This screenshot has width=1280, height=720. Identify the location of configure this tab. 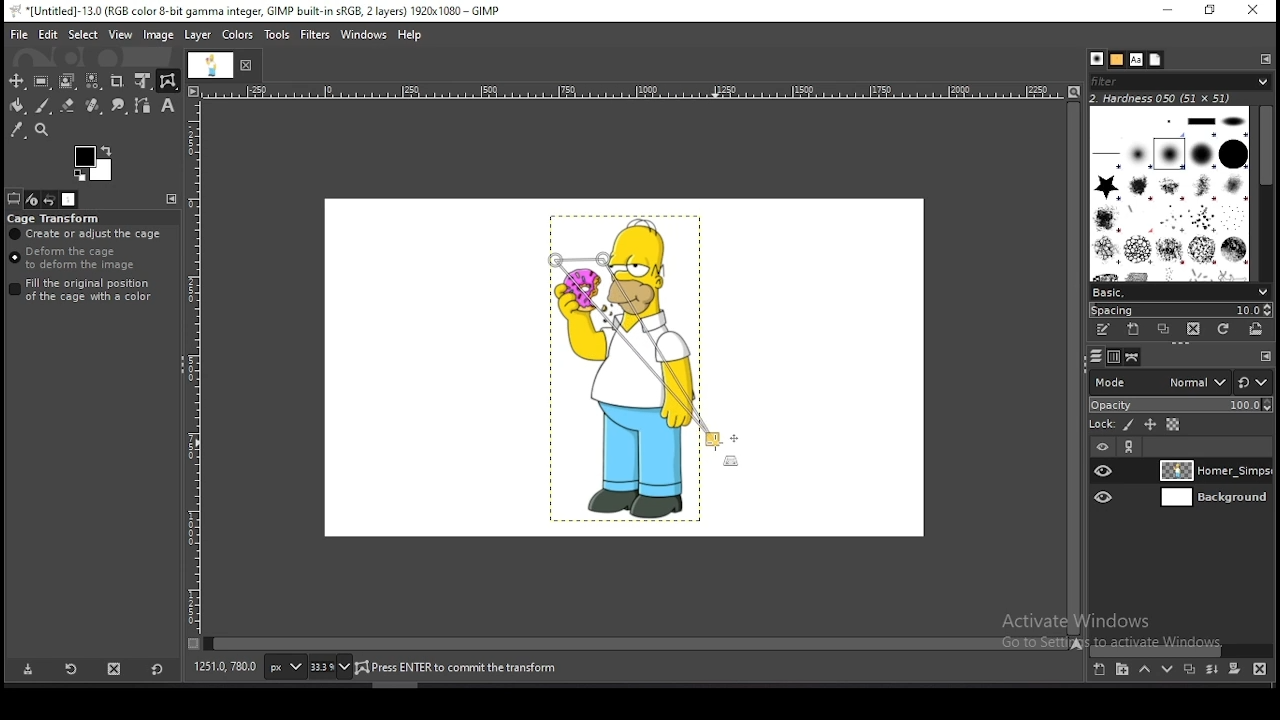
(171, 198).